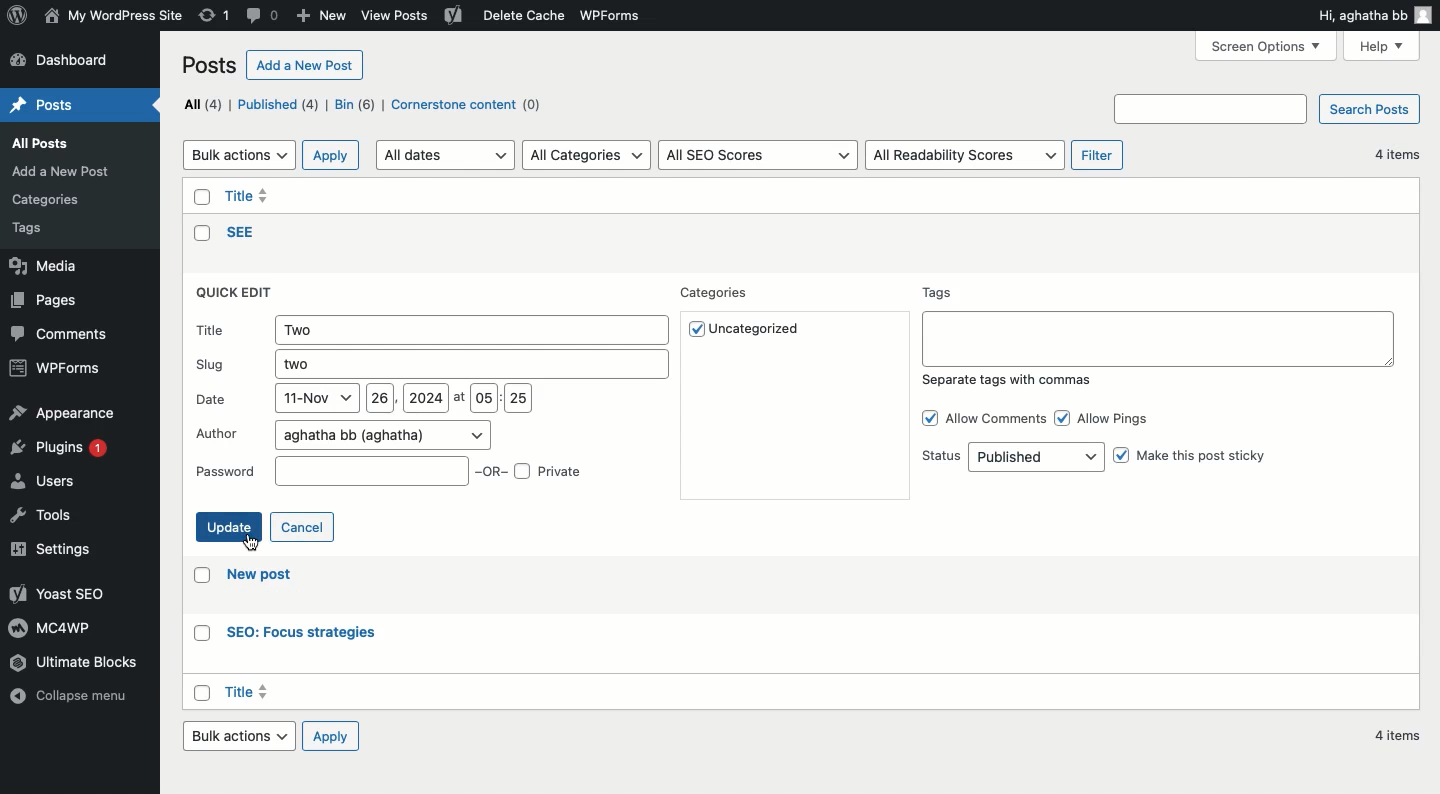  What do you see at coordinates (307, 66) in the screenshot?
I see `Add a new post` at bounding box center [307, 66].